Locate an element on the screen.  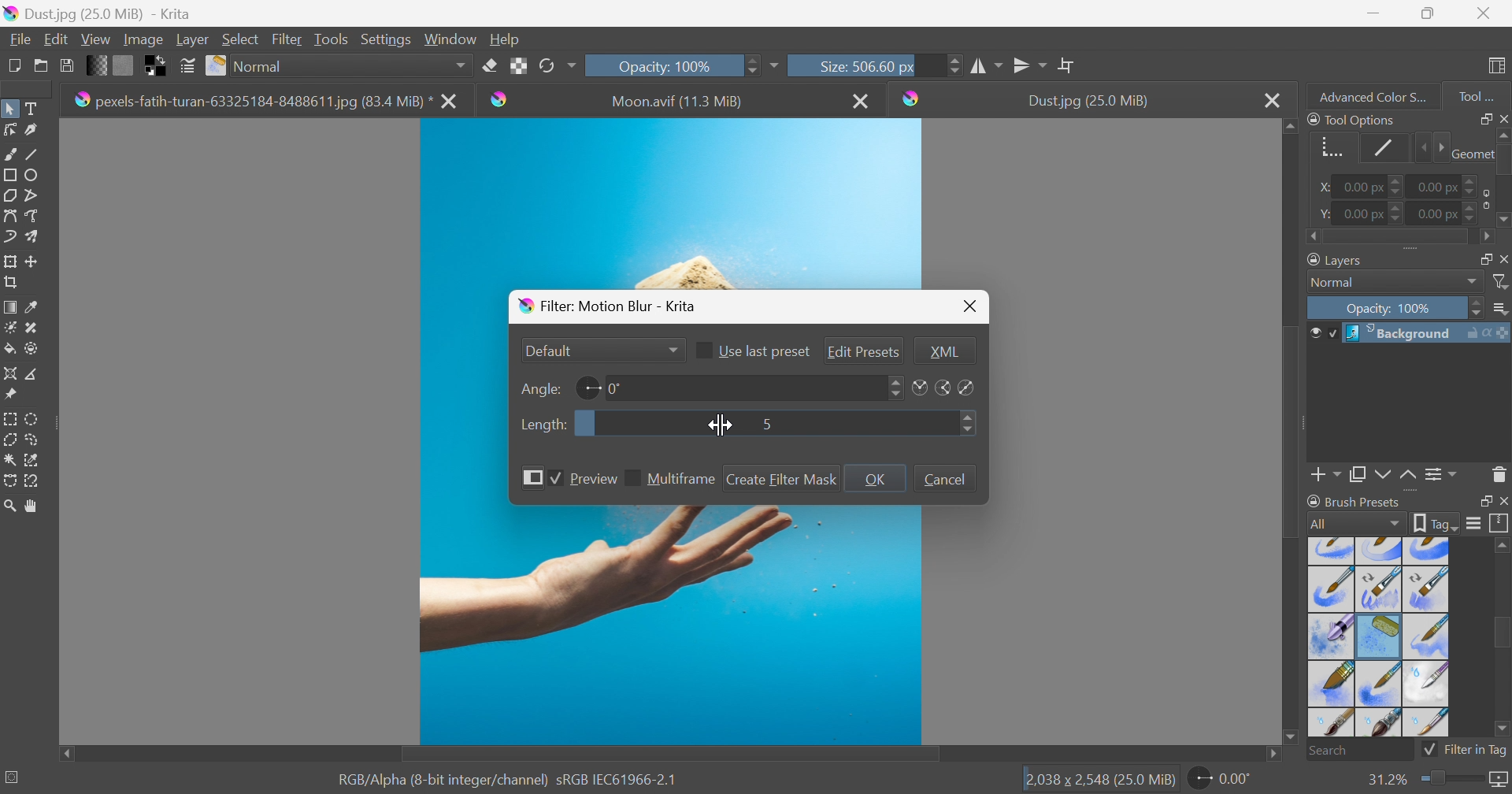
0.00 px is located at coordinates (1436, 214).